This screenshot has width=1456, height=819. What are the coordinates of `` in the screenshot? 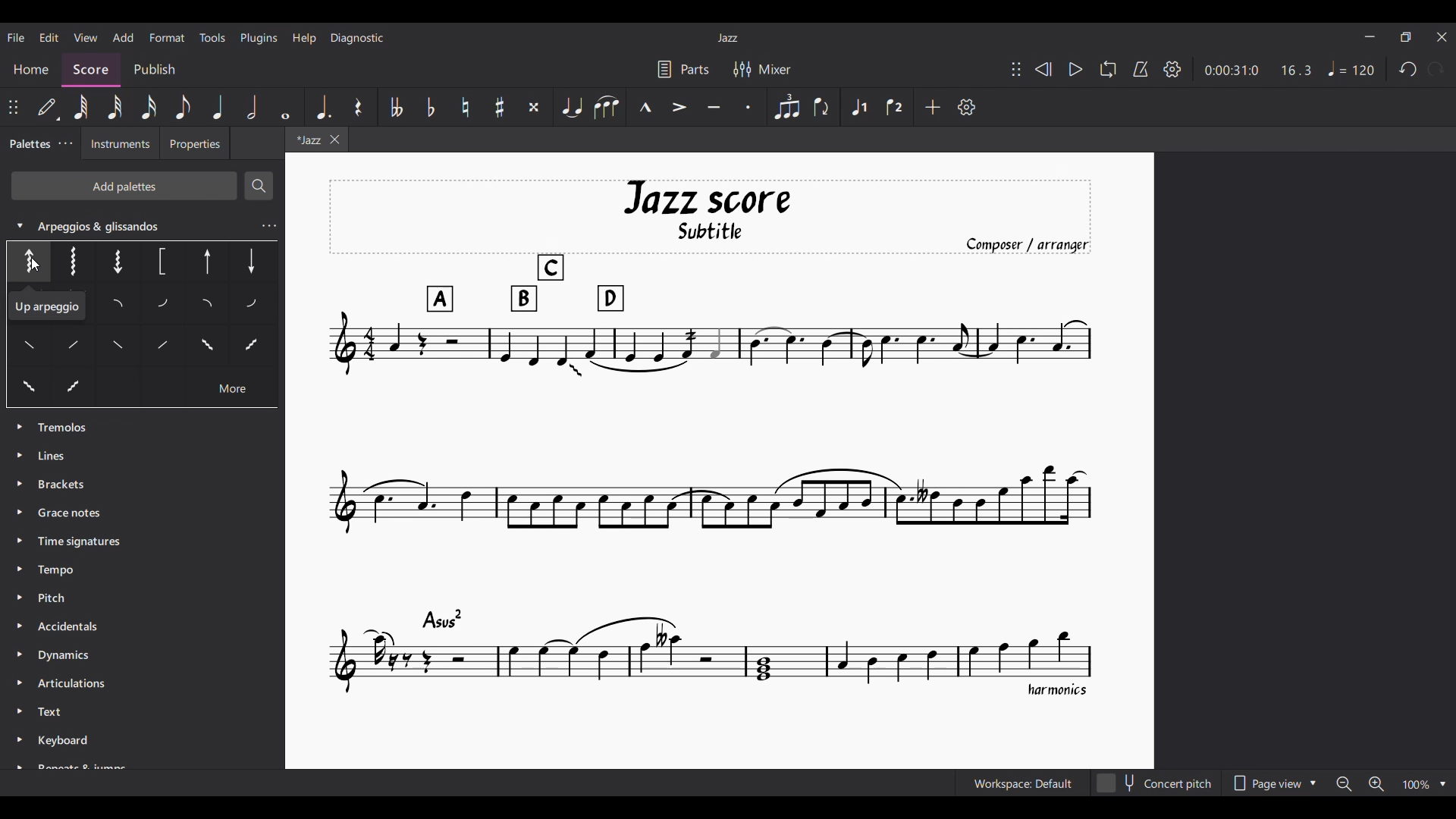 It's located at (86, 384).